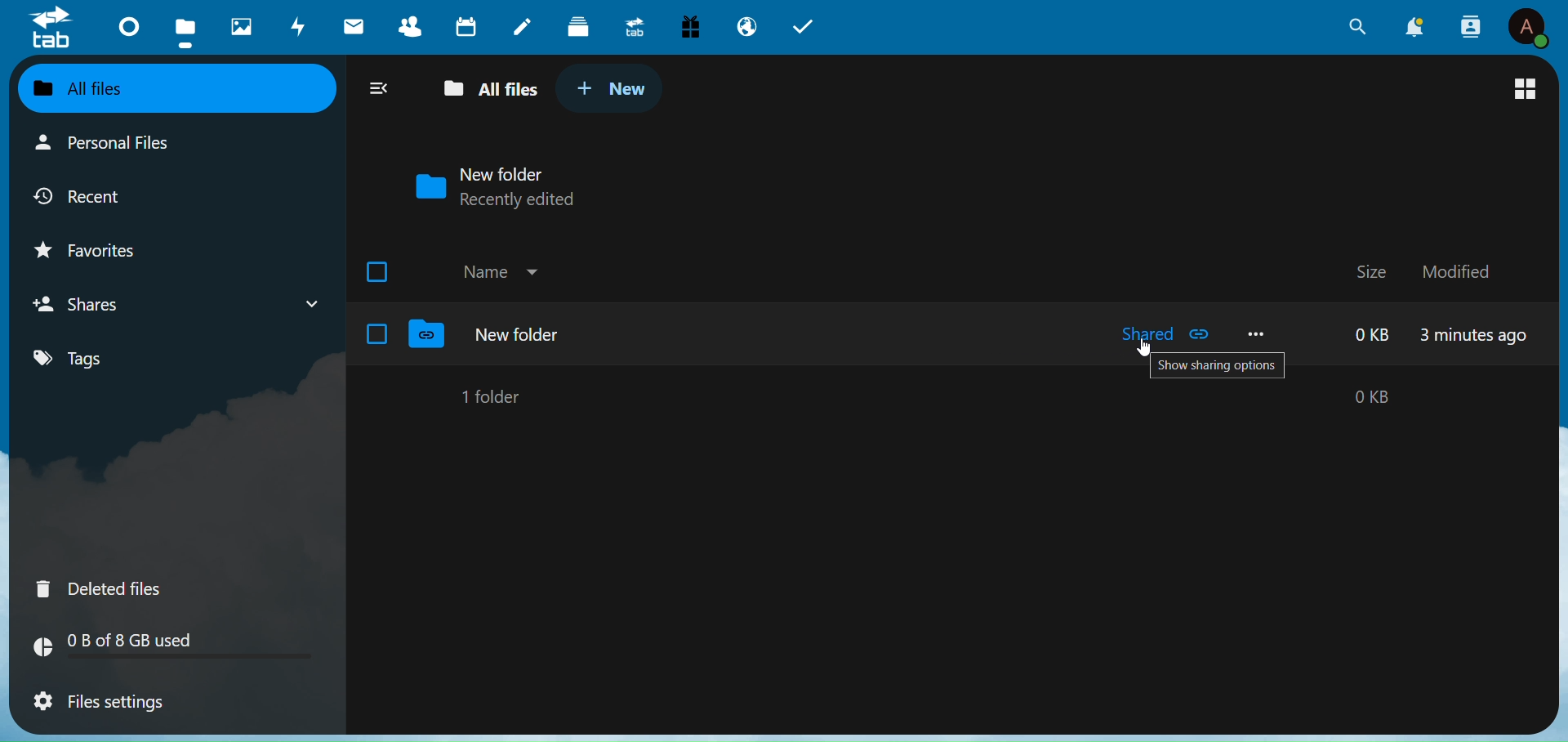 The height and width of the screenshot is (742, 1568). I want to click on Contacts, so click(1471, 25).